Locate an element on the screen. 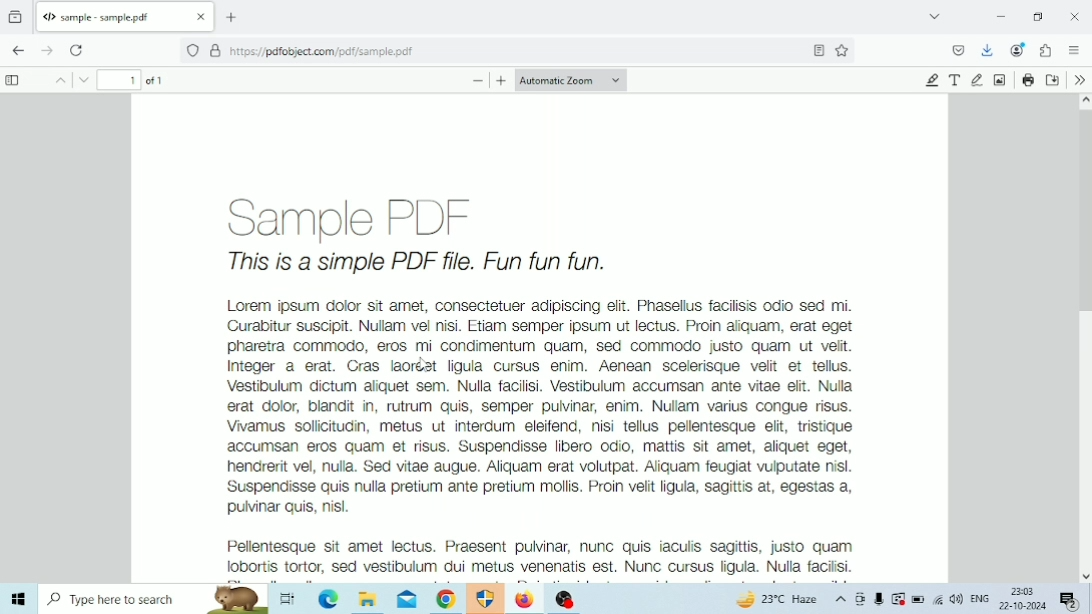 The image size is (1092, 614). Zoom in is located at coordinates (501, 81).